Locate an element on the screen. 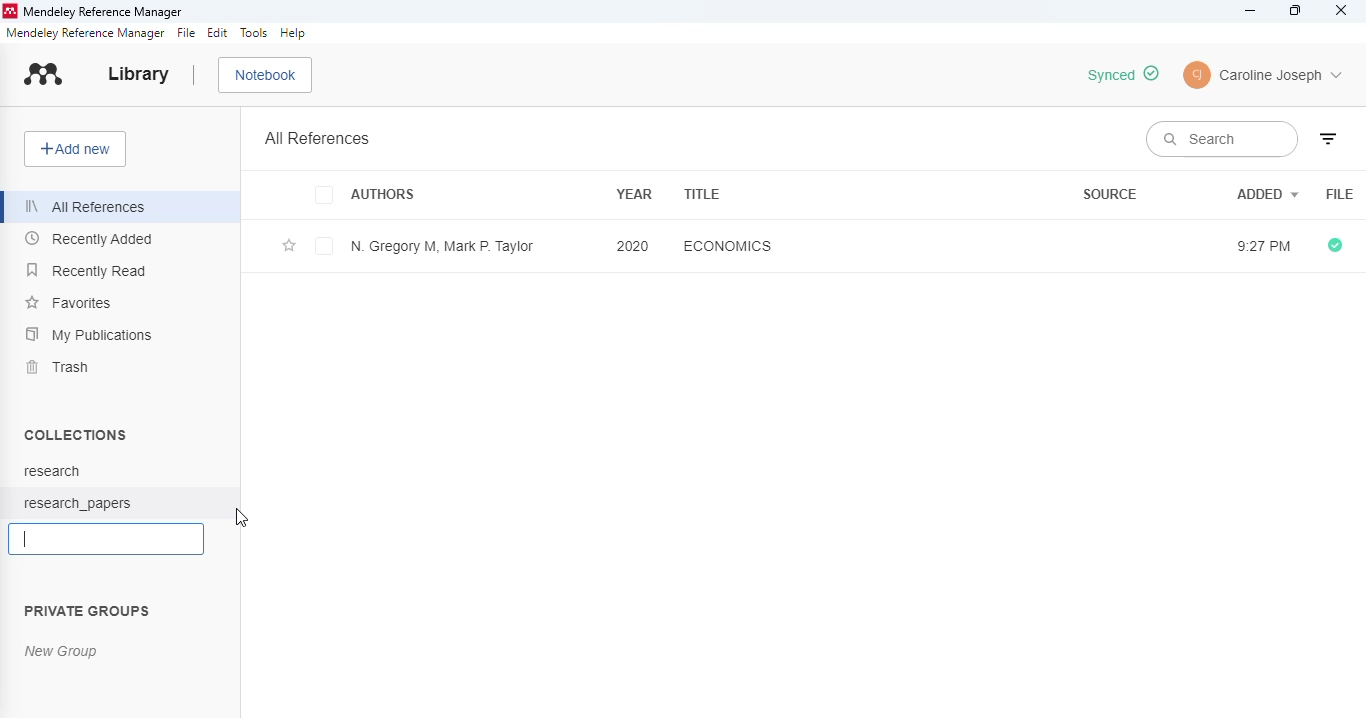 This screenshot has width=1366, height=718. checkbox is located at coordinates (327, 196).